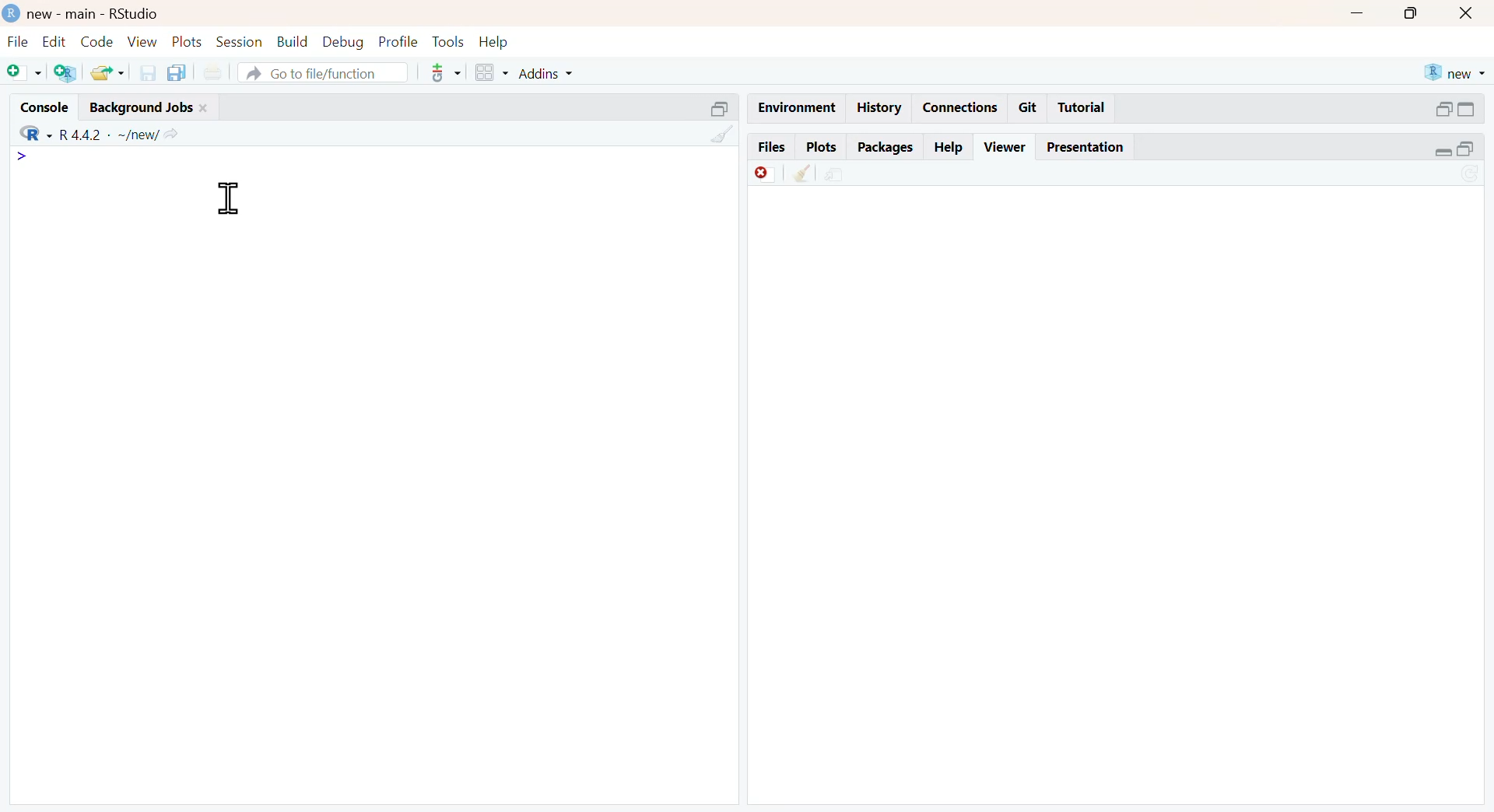 The height and width of the screenshot is (812, 1494). Describe the element at coordinates (950, 147) in the screenshot. I see `help` at that location.